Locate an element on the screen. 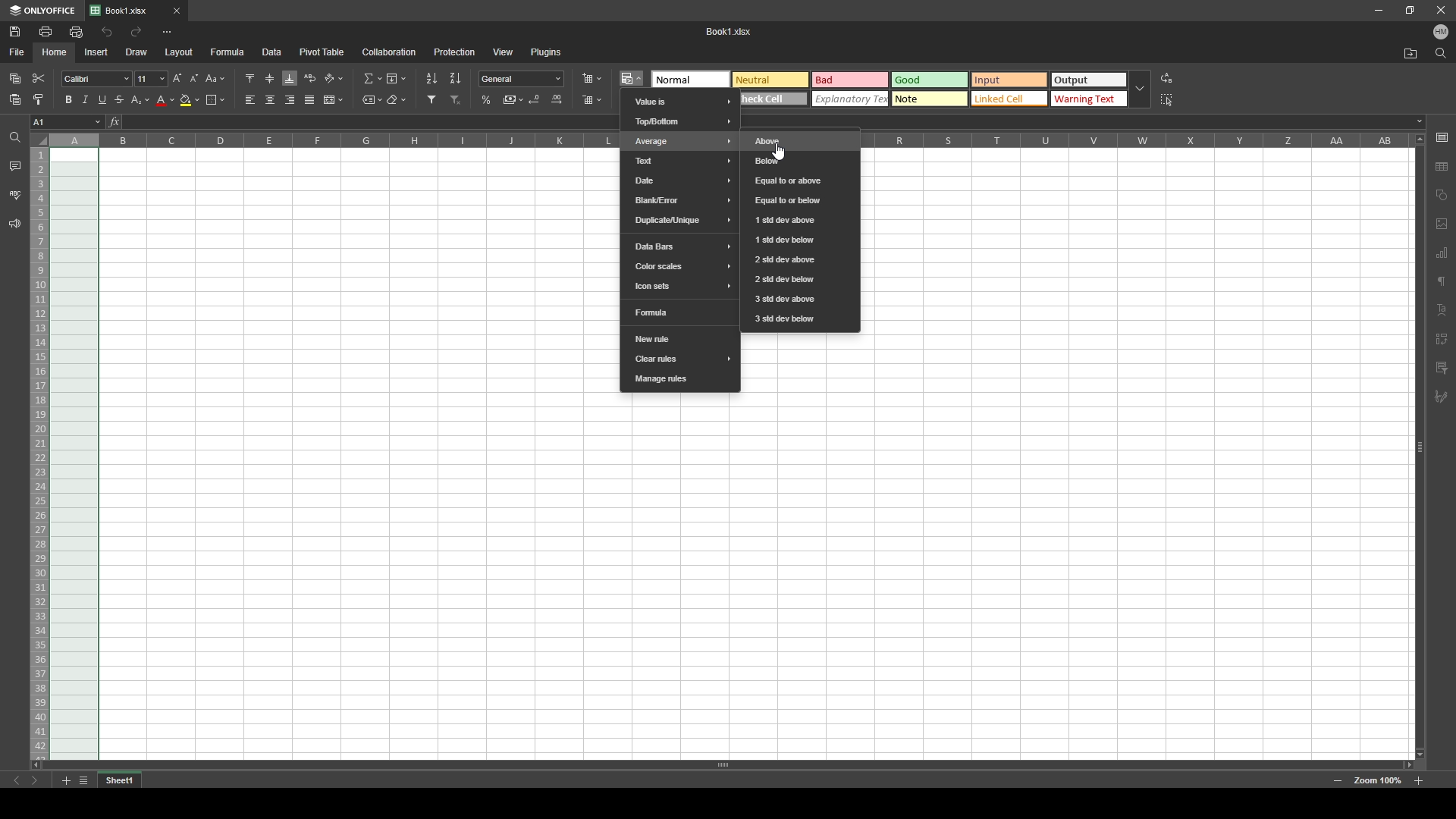  copy style is located at coordinates (38, 99).